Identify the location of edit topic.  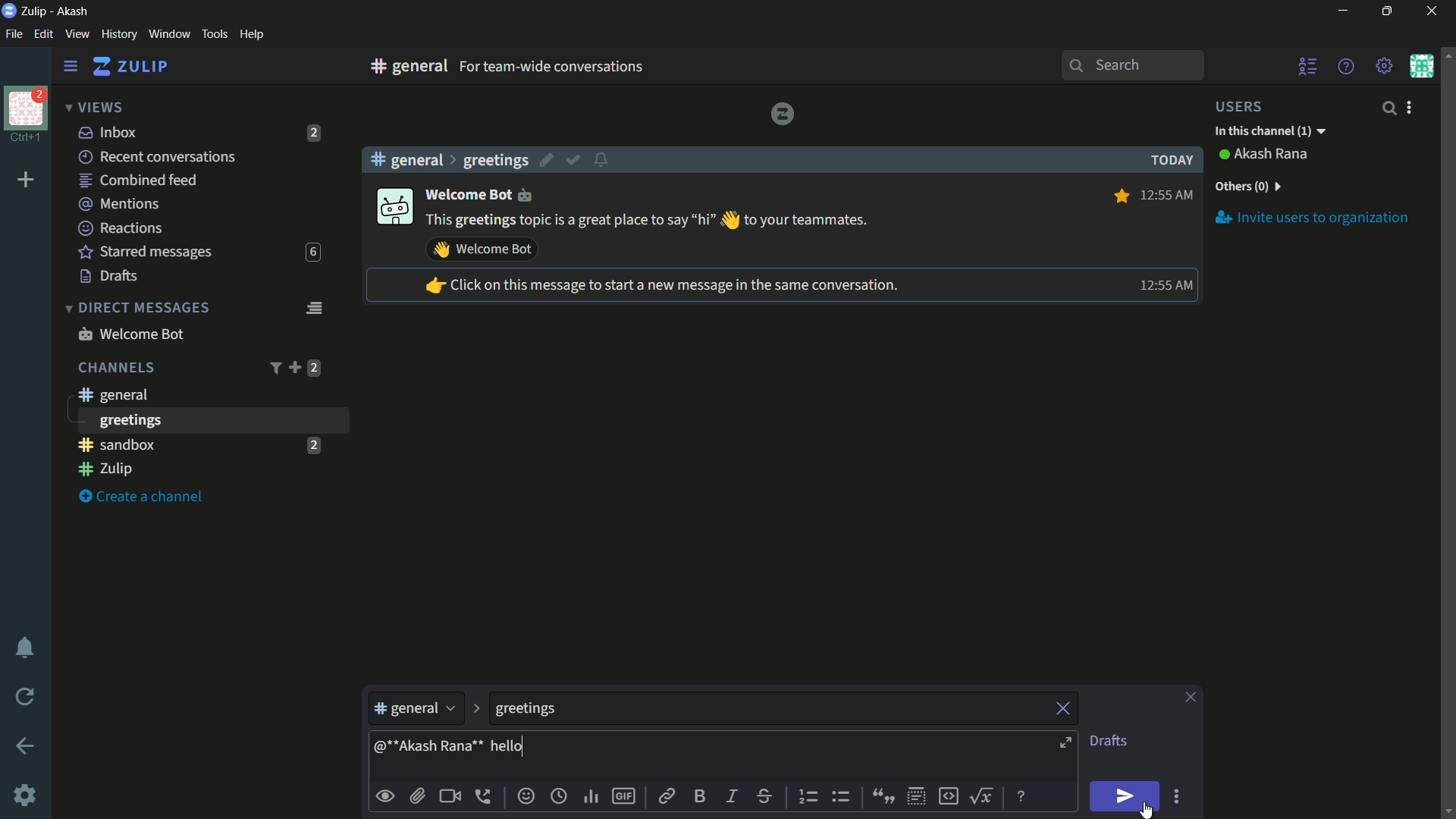
(548, 162).